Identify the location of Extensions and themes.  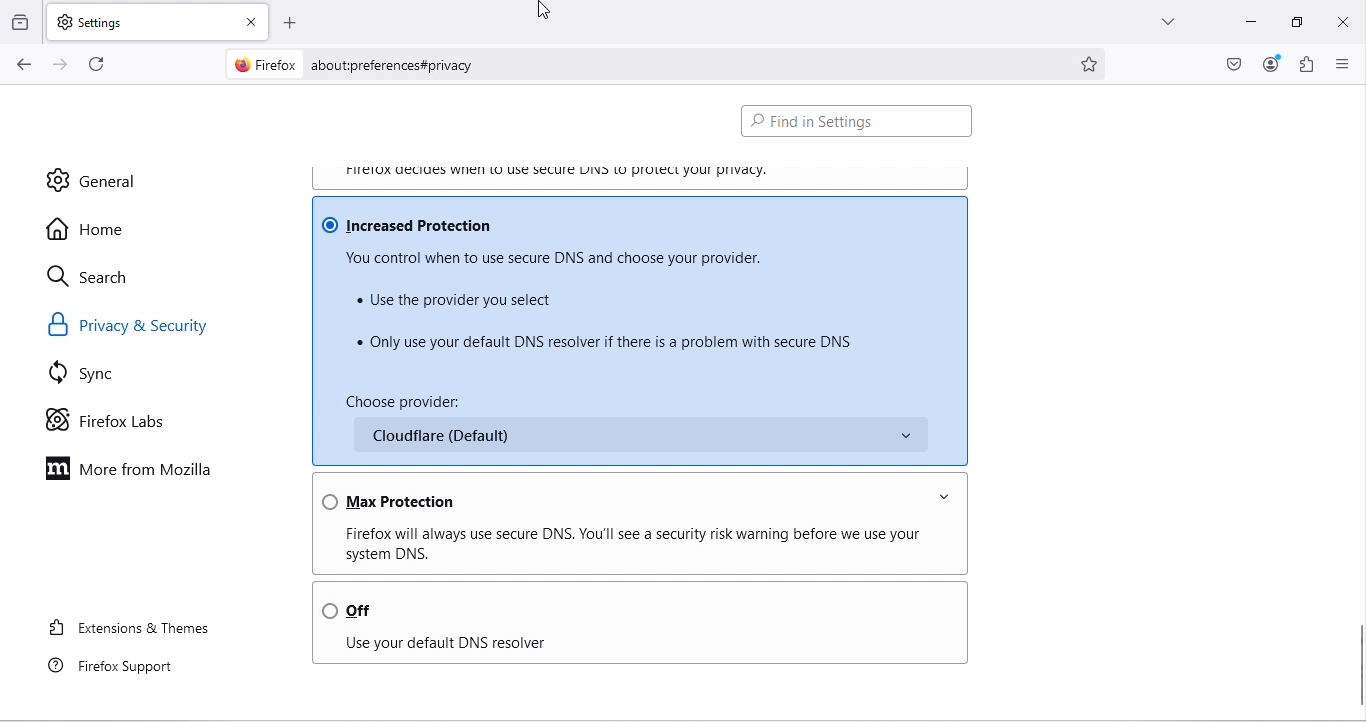
(130, 632).